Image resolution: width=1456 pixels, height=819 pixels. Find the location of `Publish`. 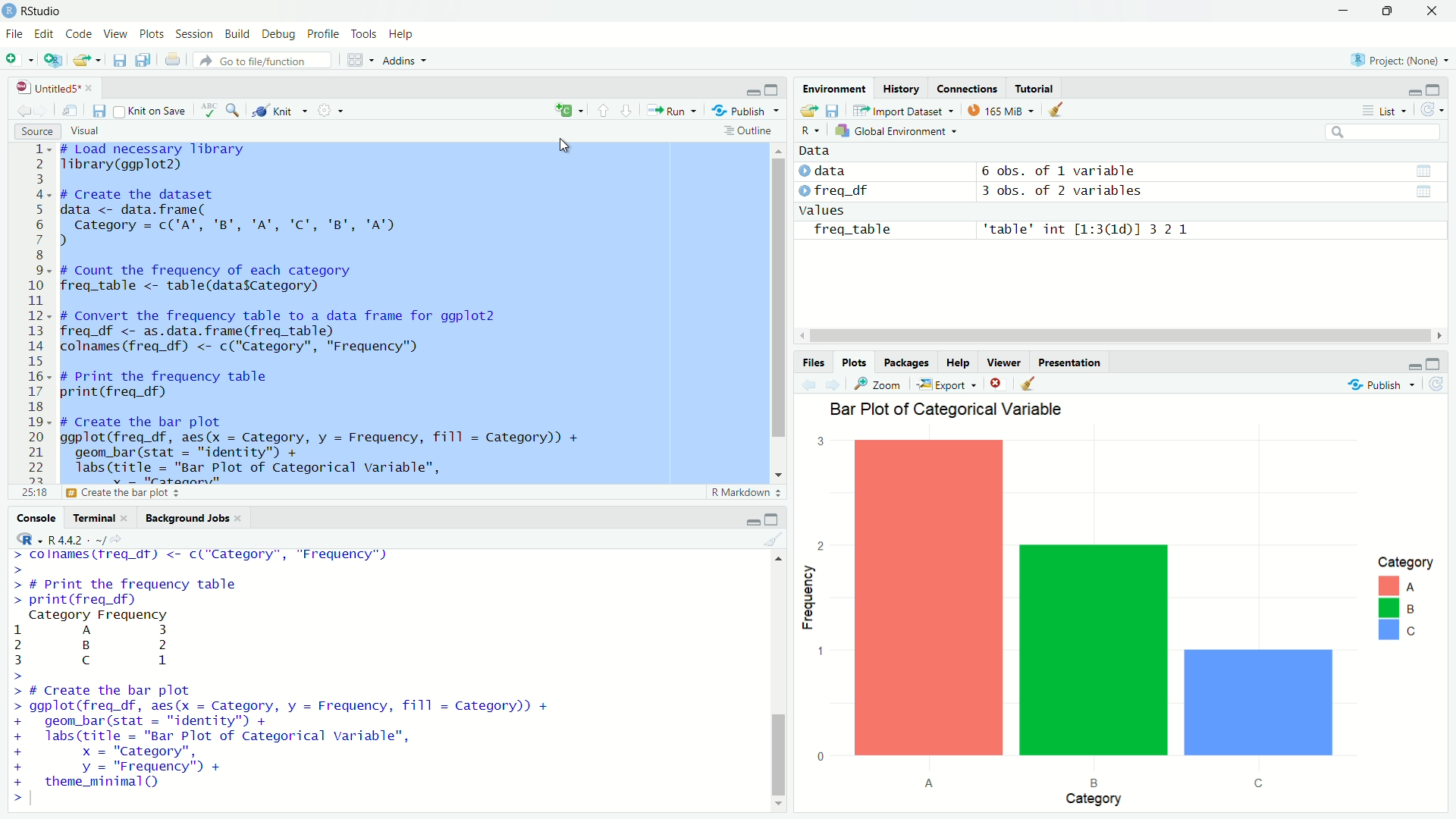

Publish is located at coordinates (747, 110).